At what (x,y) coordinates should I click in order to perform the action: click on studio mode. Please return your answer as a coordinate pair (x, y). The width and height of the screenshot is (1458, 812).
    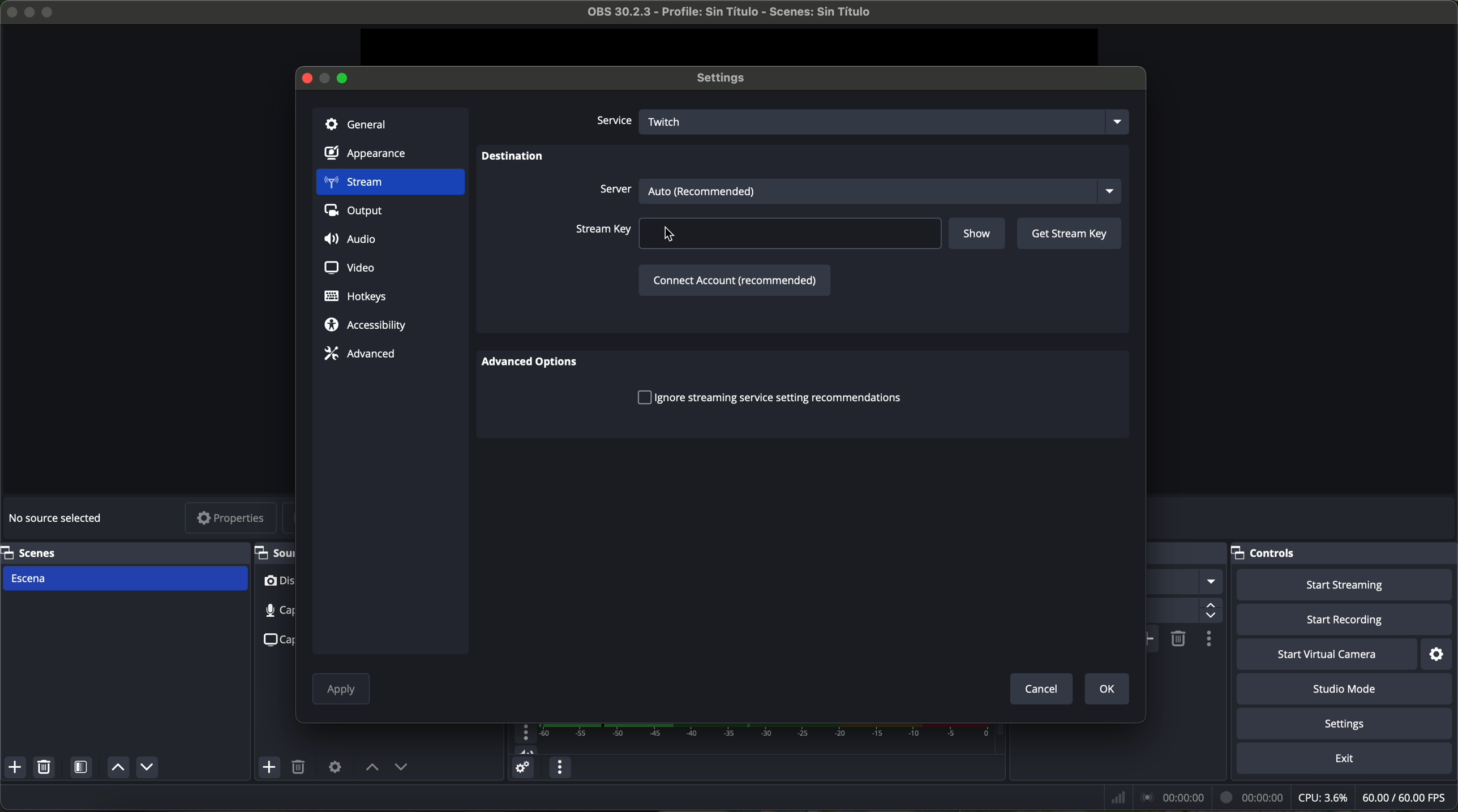
    Looking at the image, I should click on (1349, 690).